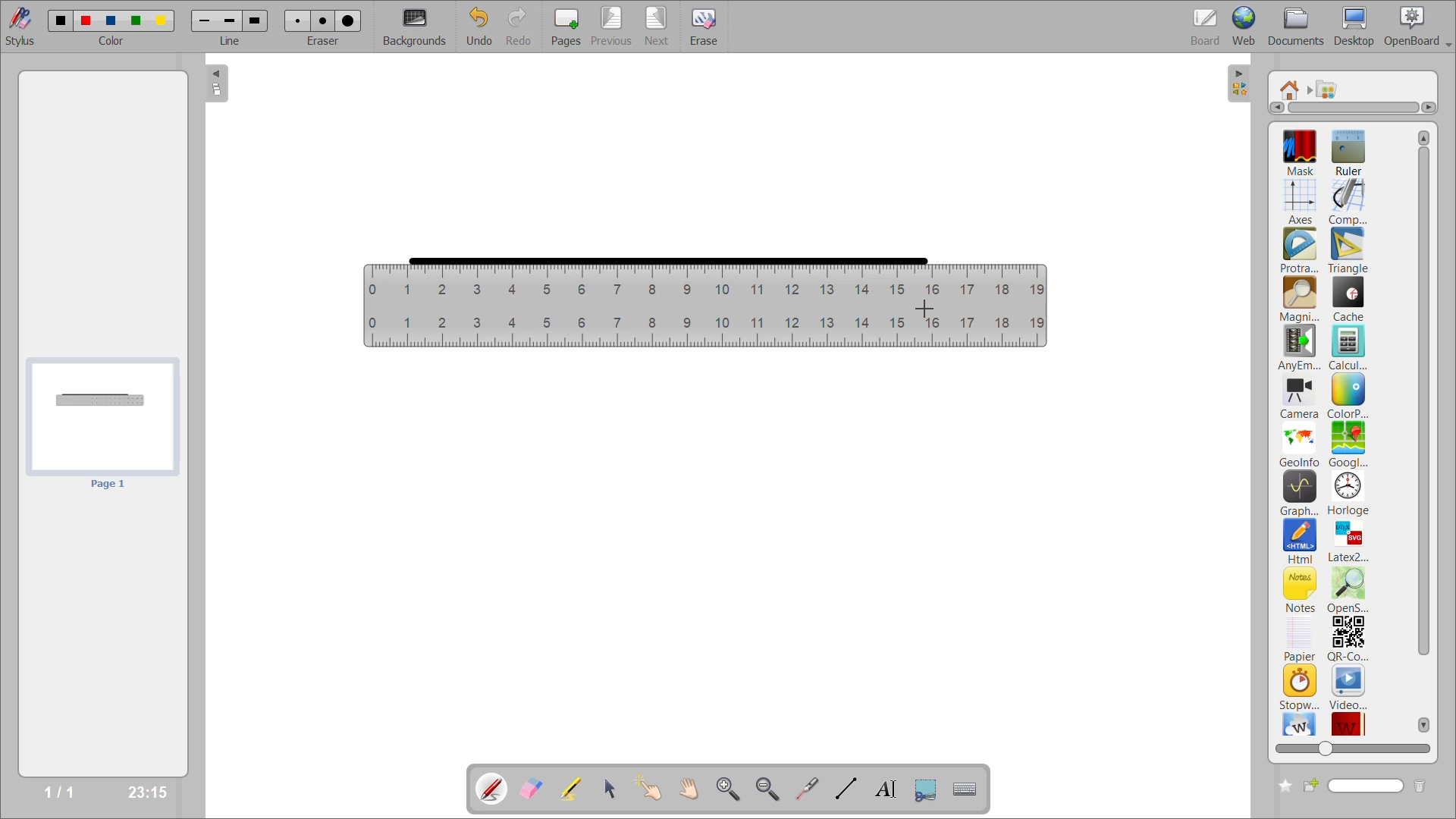 The width and height of the screenshot is (1456, 819). What do you see at coordinates (86, 20) in the screenshot?
I see `color 2` at bounding box center [86, 20].